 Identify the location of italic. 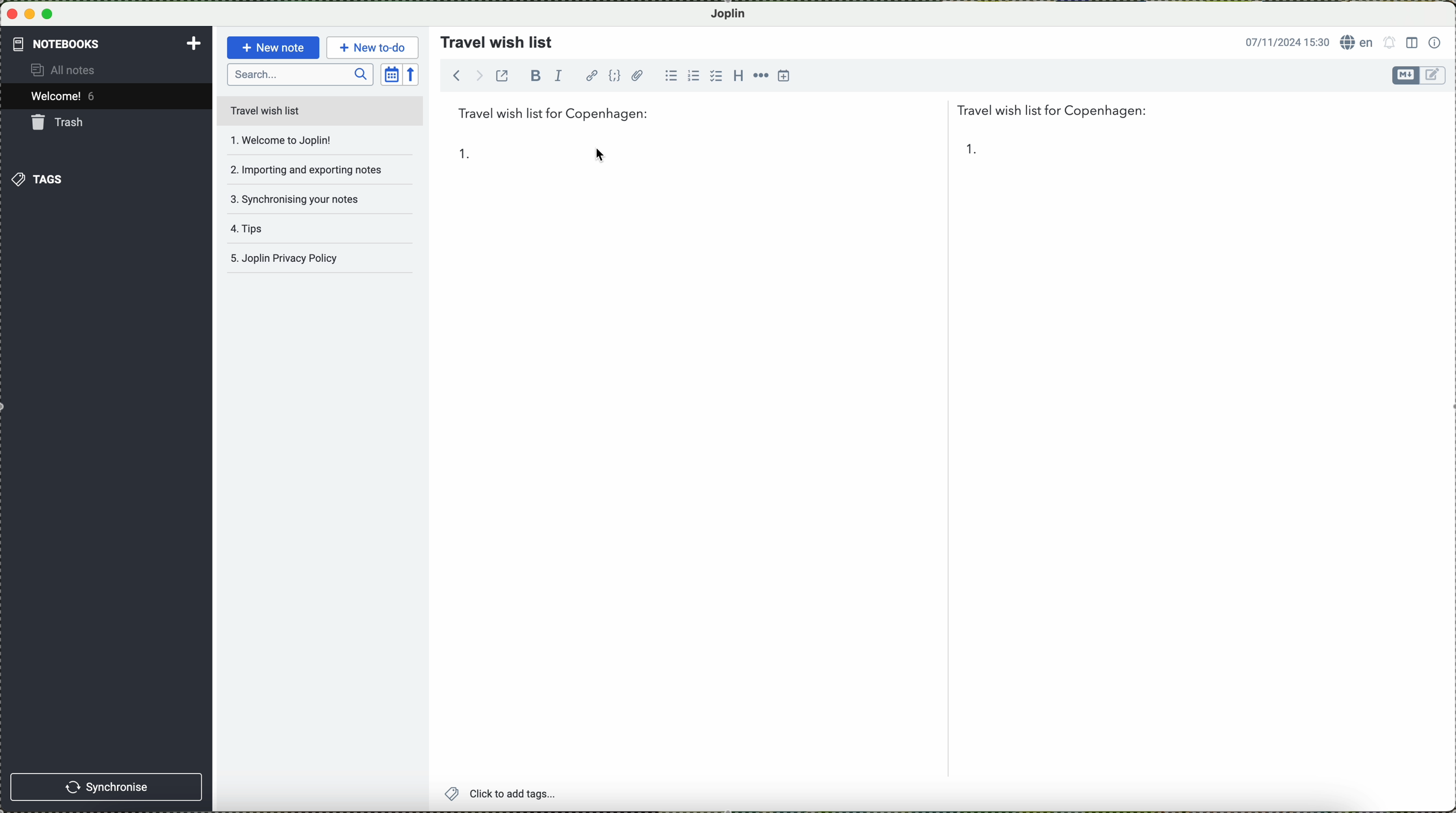
(562, 77).